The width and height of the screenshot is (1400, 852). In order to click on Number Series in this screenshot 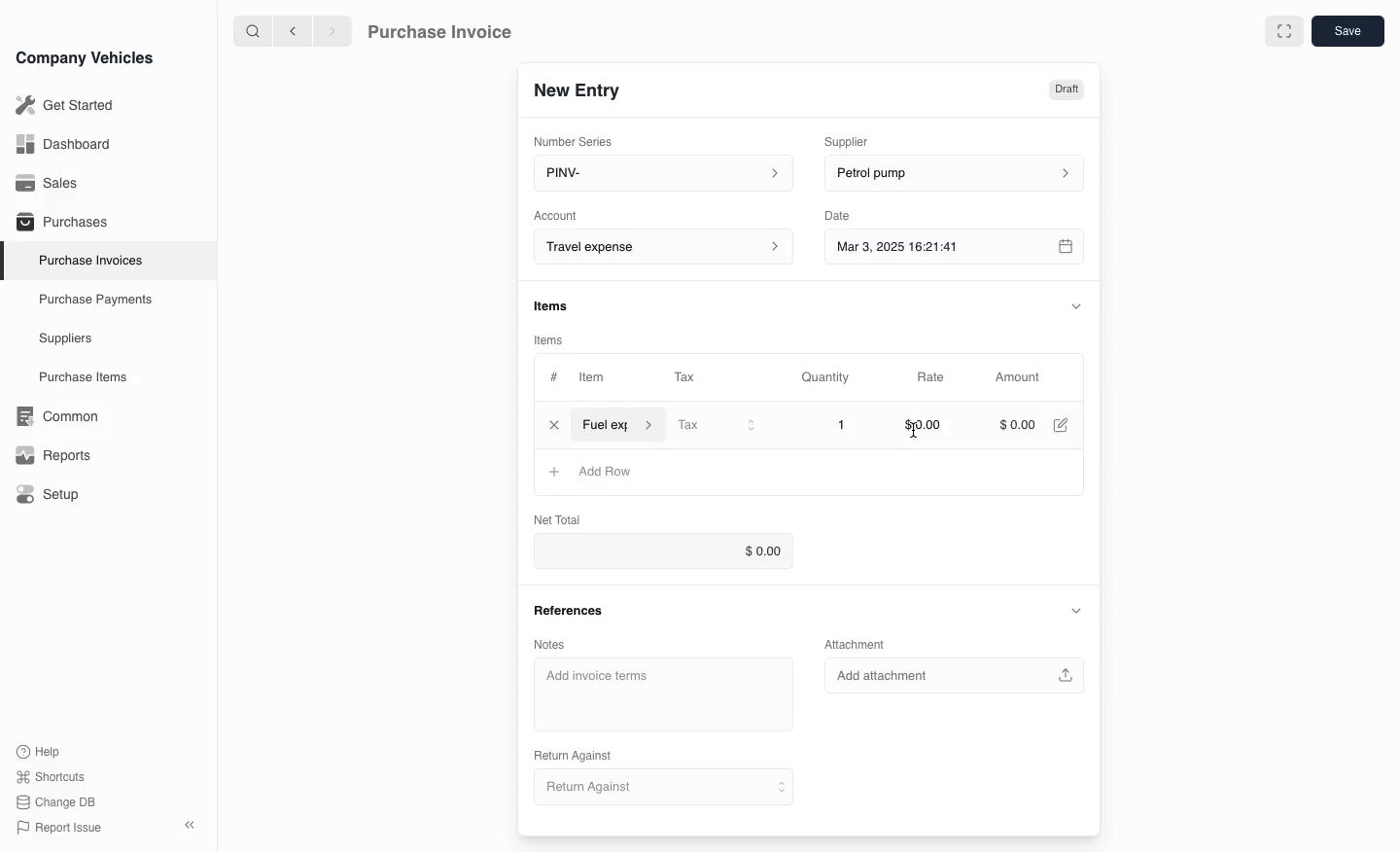, I will do `click(579, 139)`.